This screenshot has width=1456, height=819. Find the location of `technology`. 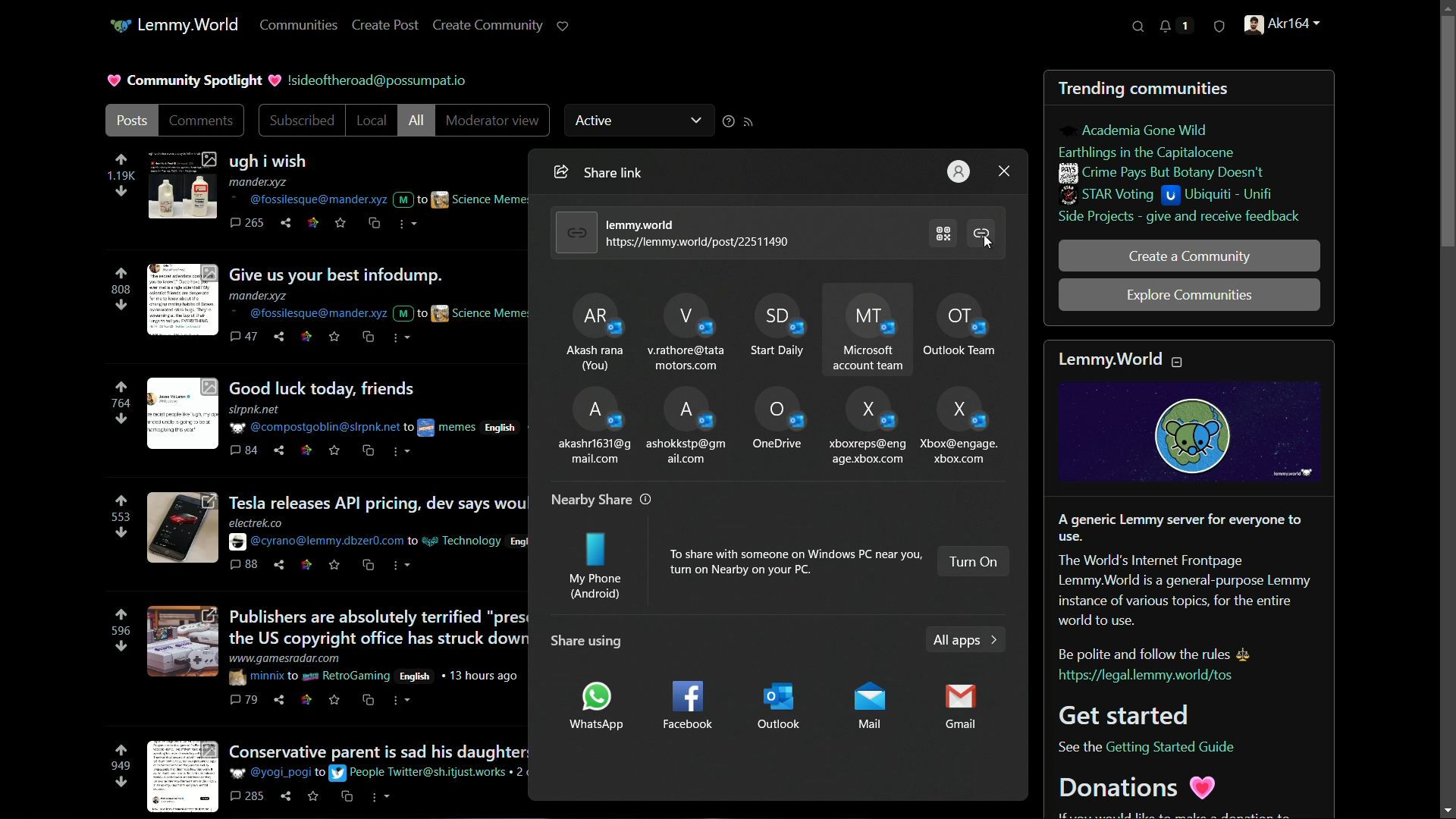

technology is located at coordinates (462, 541).